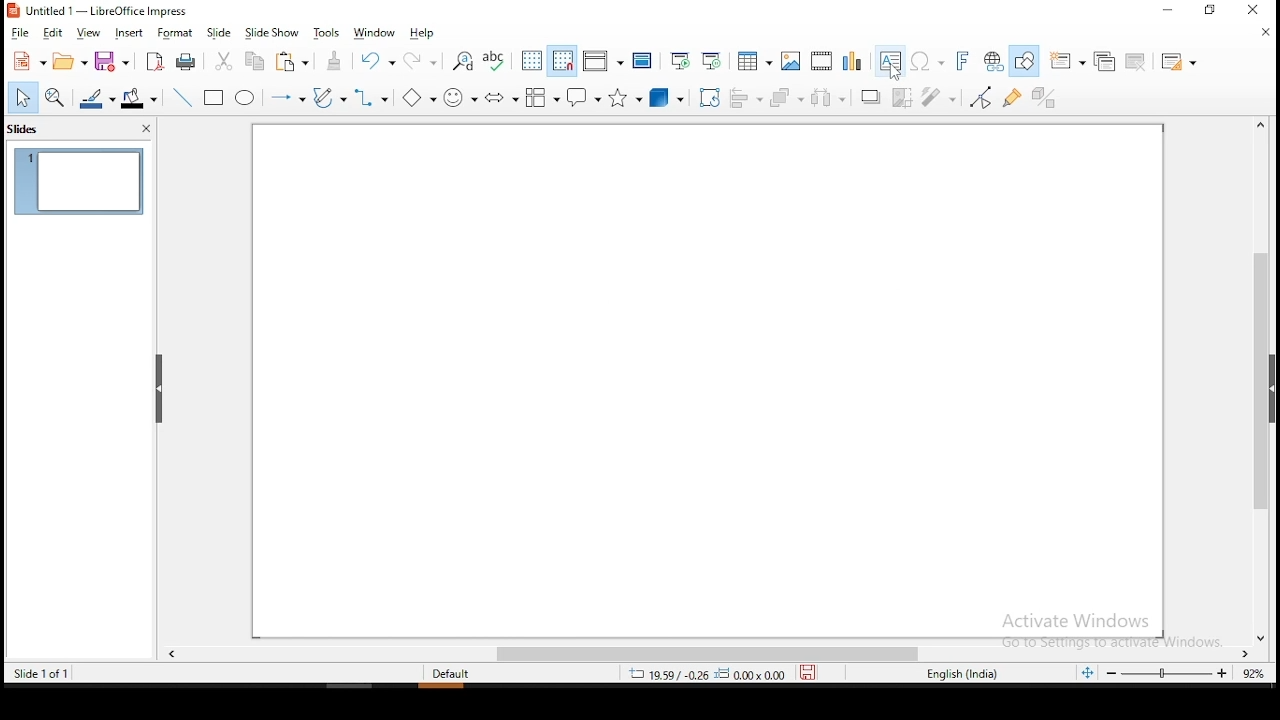  Describe the element at coordinates (188, 64) in the screenshot. I see `print` at that location.